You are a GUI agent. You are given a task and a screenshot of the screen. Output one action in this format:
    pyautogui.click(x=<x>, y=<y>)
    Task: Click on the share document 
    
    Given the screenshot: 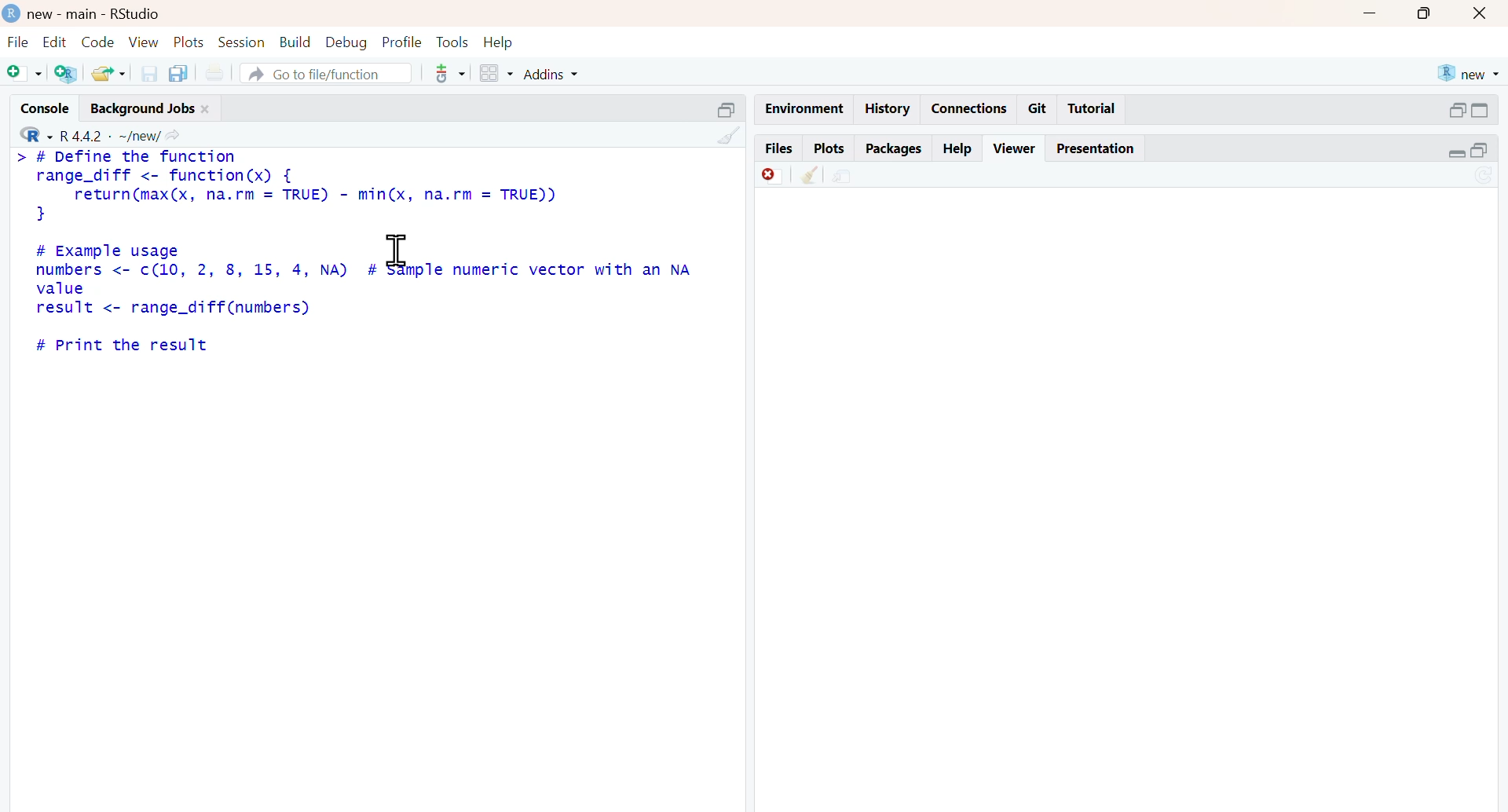 What is the action you would take?
    pyautogui.click(x=842, y=177)
    